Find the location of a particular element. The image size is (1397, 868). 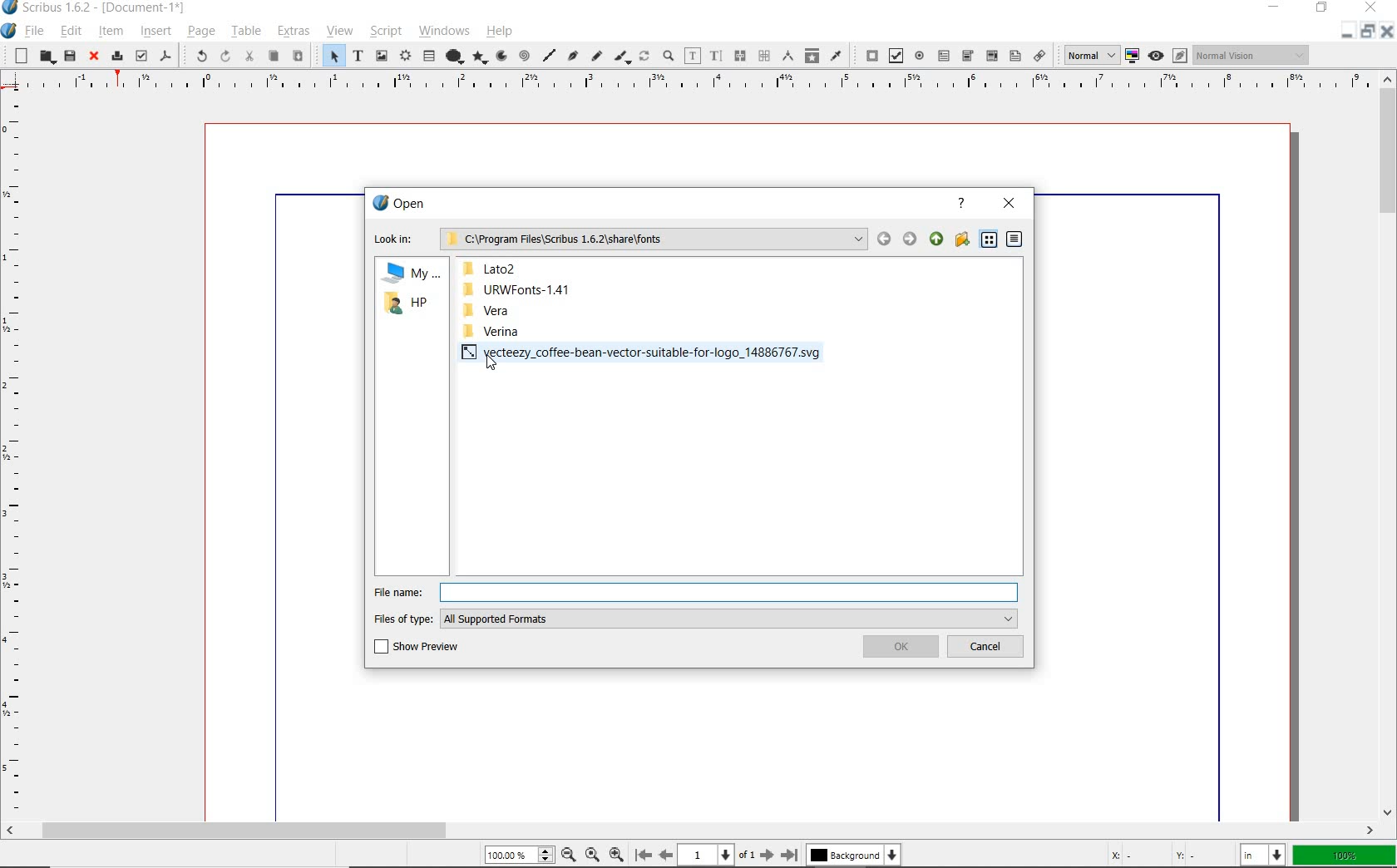

my computer is located at coordinates (413, 271).